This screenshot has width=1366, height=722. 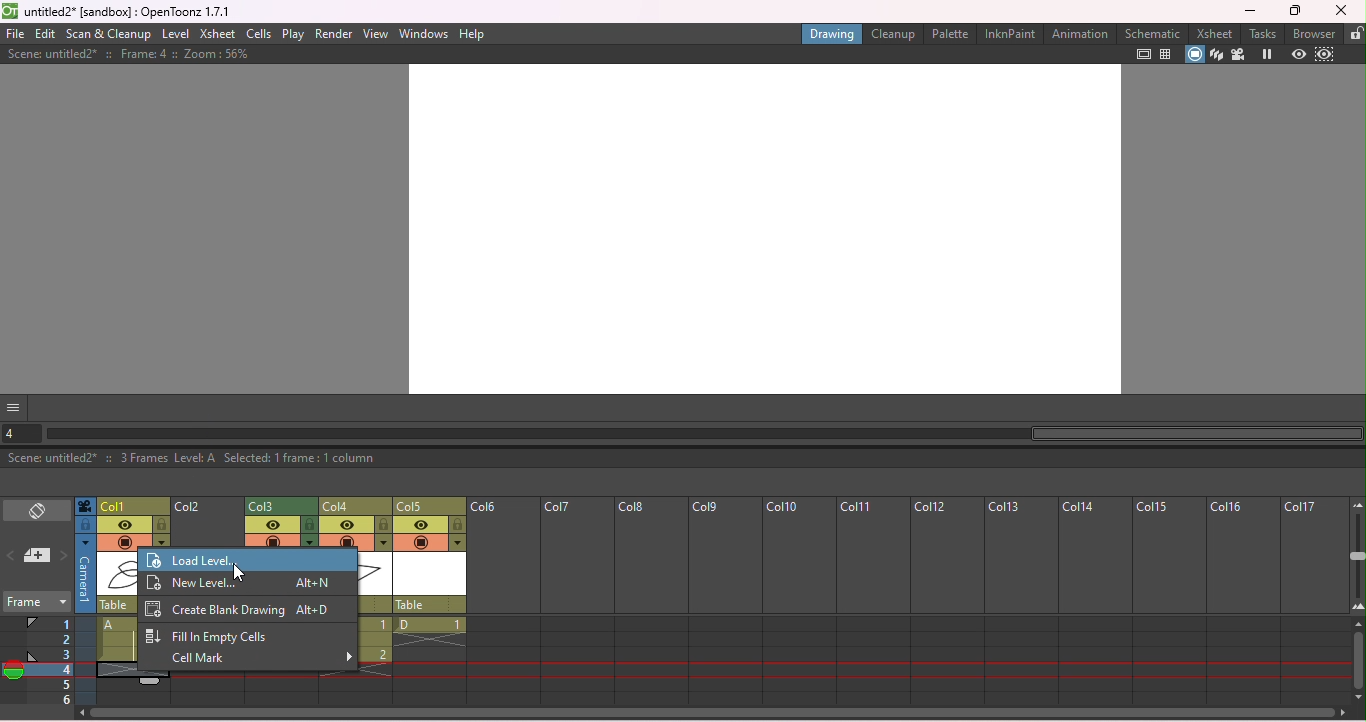 What do you see at coordinates (293, 34) in the screenshot?
I see `Play` at bounding box center [293, 34].